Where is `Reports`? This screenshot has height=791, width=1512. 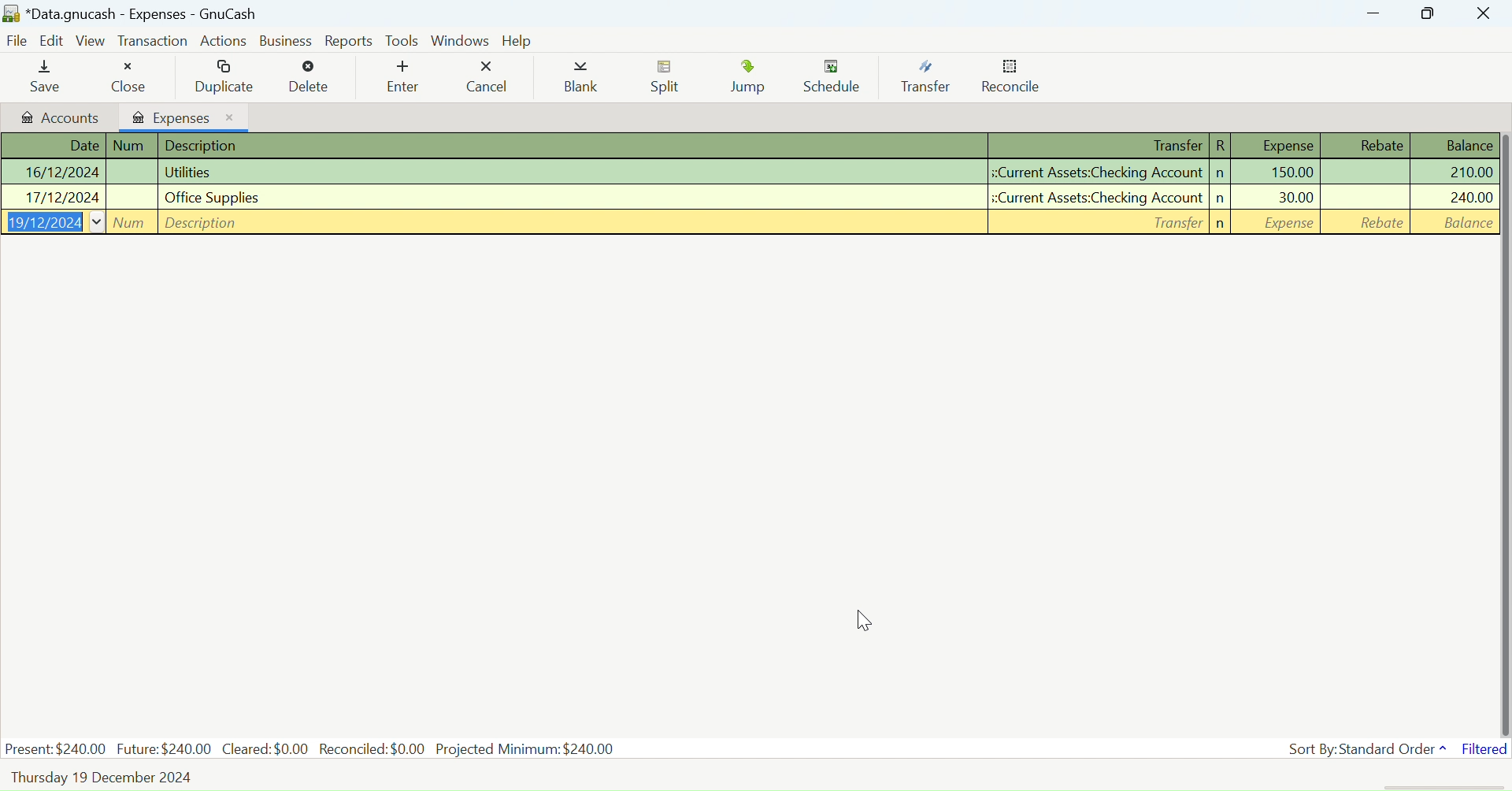
Reports is located at coordinates (350, 41).